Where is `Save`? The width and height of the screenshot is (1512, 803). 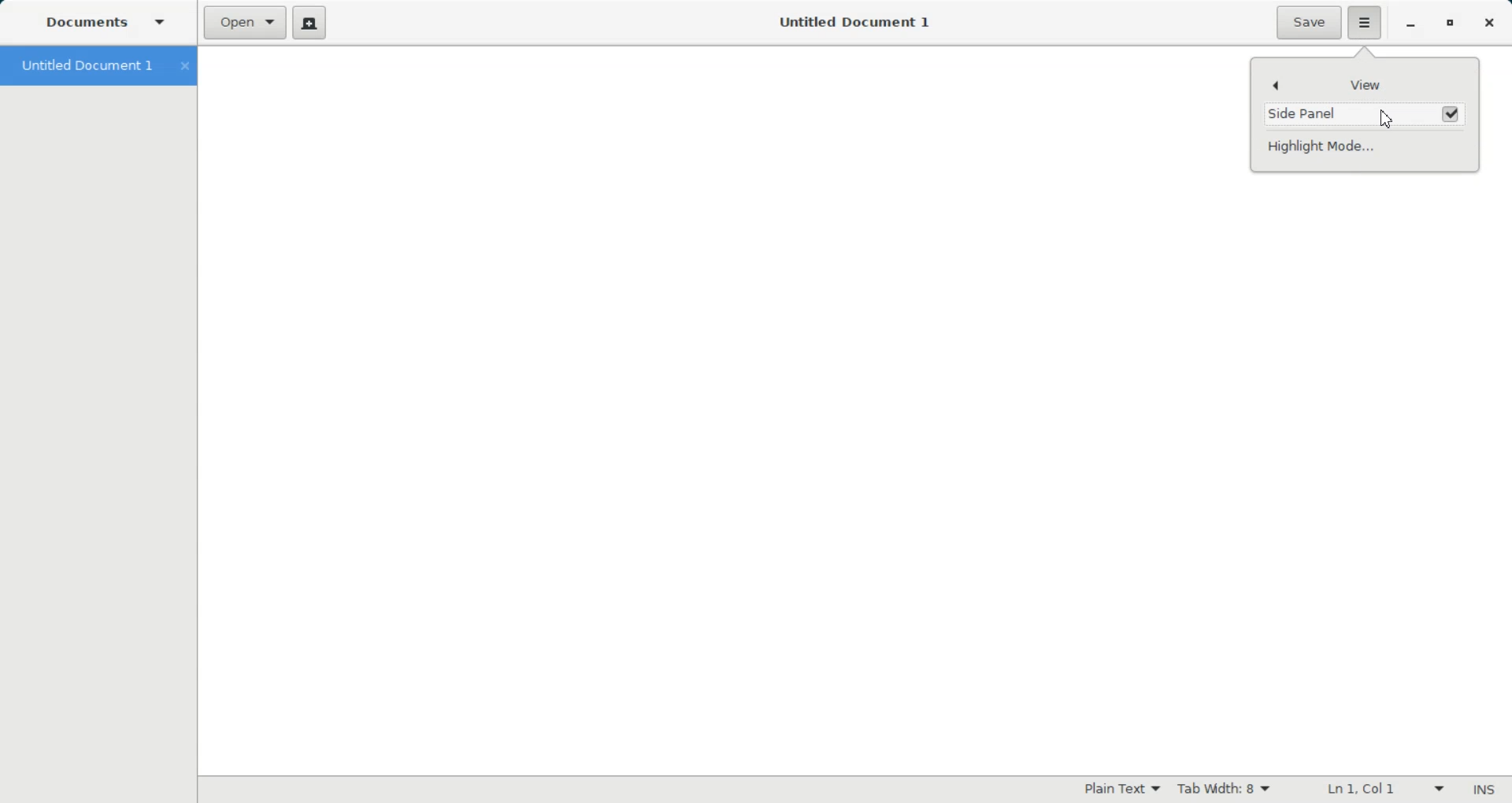
Save is located at coordinates (1307, 23).